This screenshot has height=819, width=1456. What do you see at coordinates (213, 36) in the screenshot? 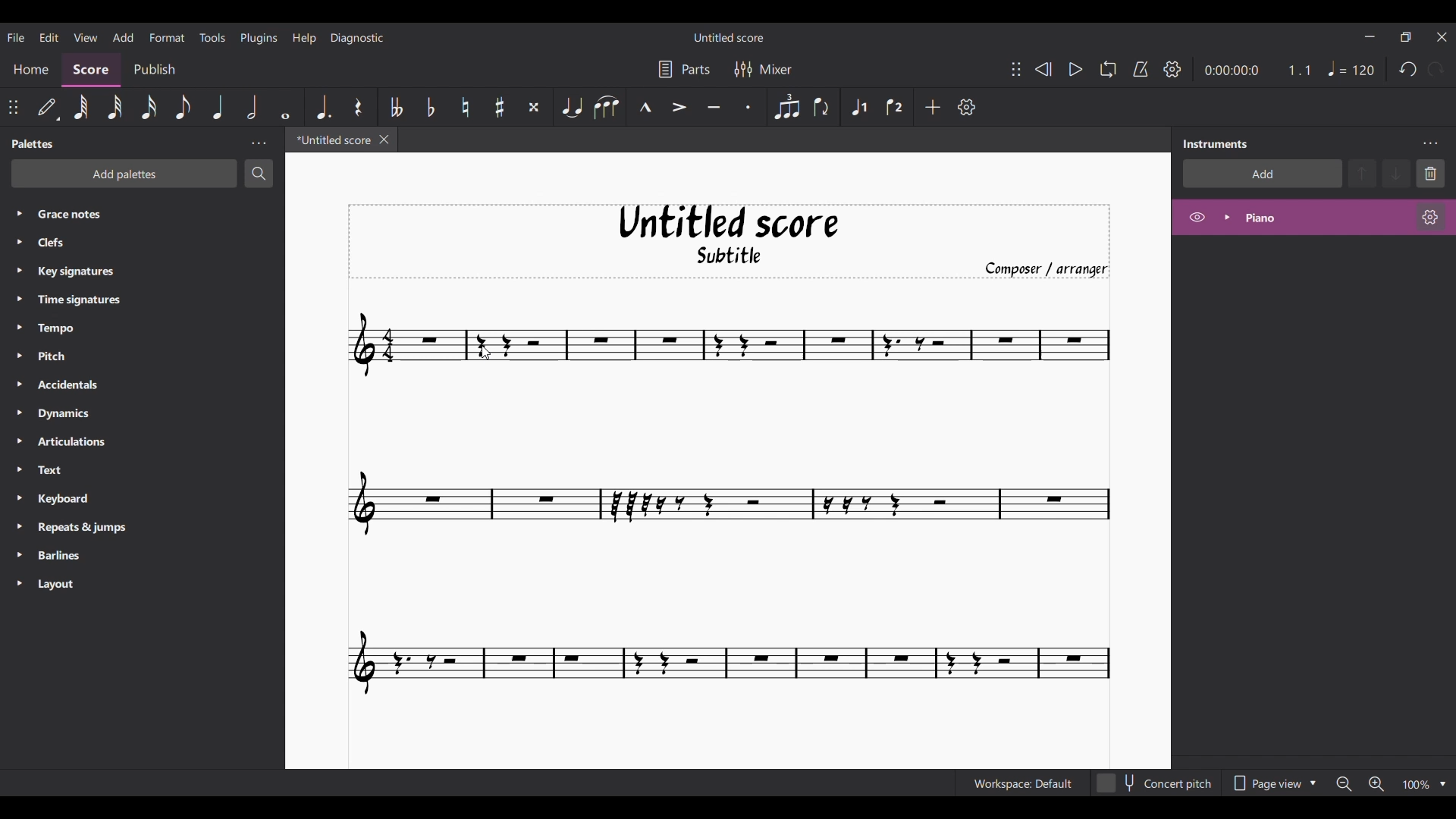
I see `Tools menu` at bounding box center [213, 36].